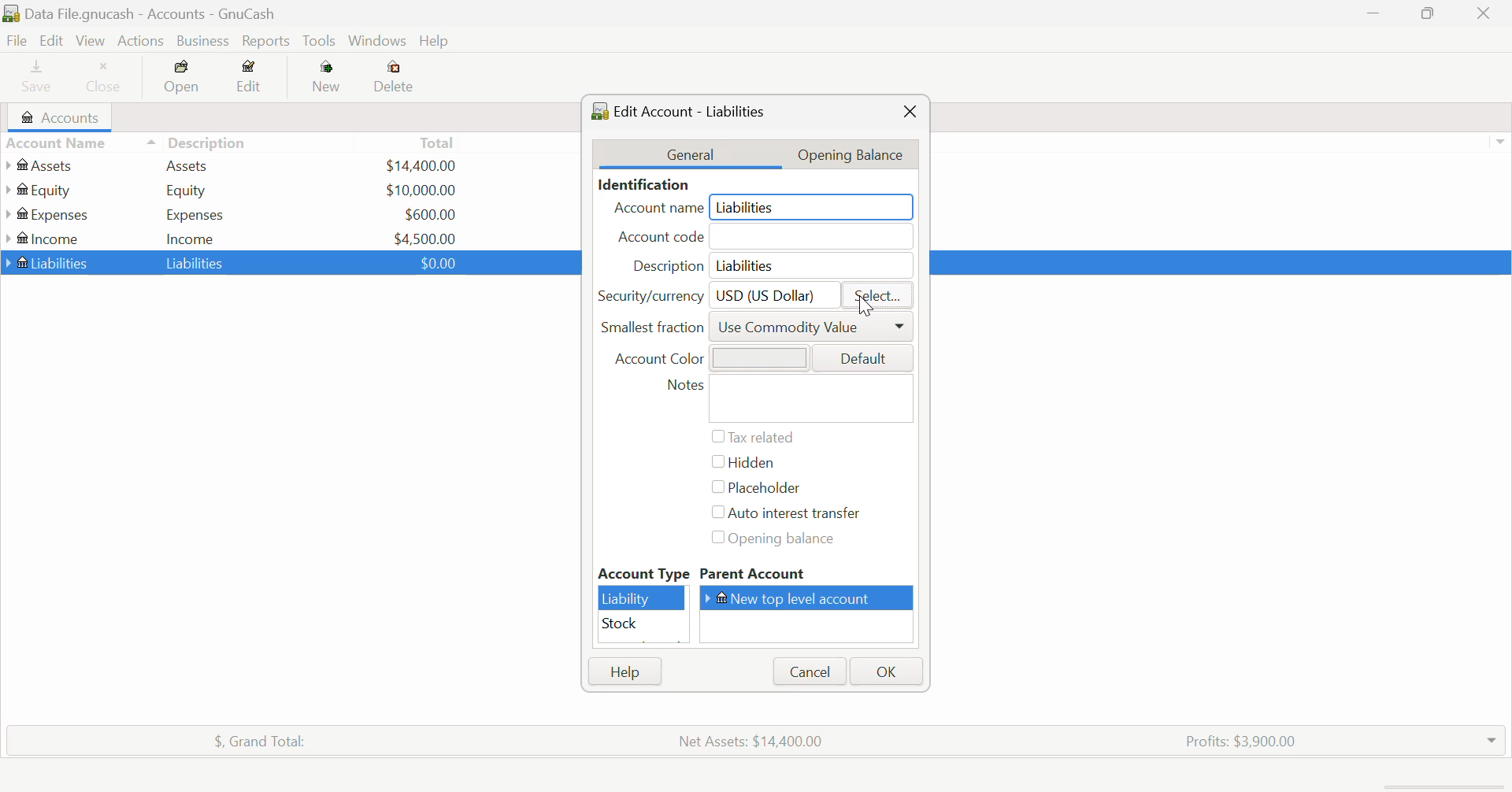  Describe the element at coordinates (50, 41) in the screenshot. I see `Edit` at that location.